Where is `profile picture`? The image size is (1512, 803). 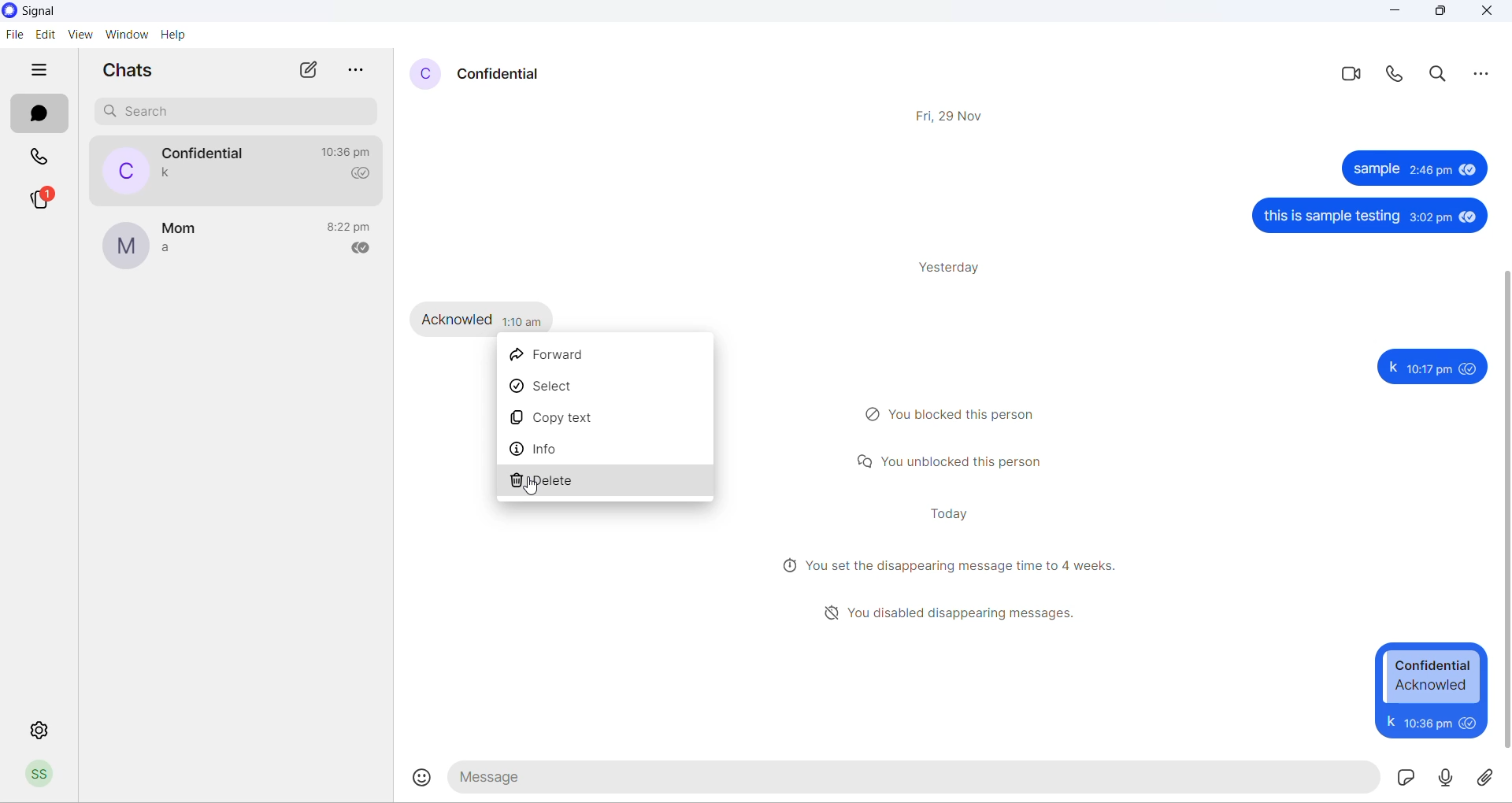 profile picture is located at coordinates (421, 72).